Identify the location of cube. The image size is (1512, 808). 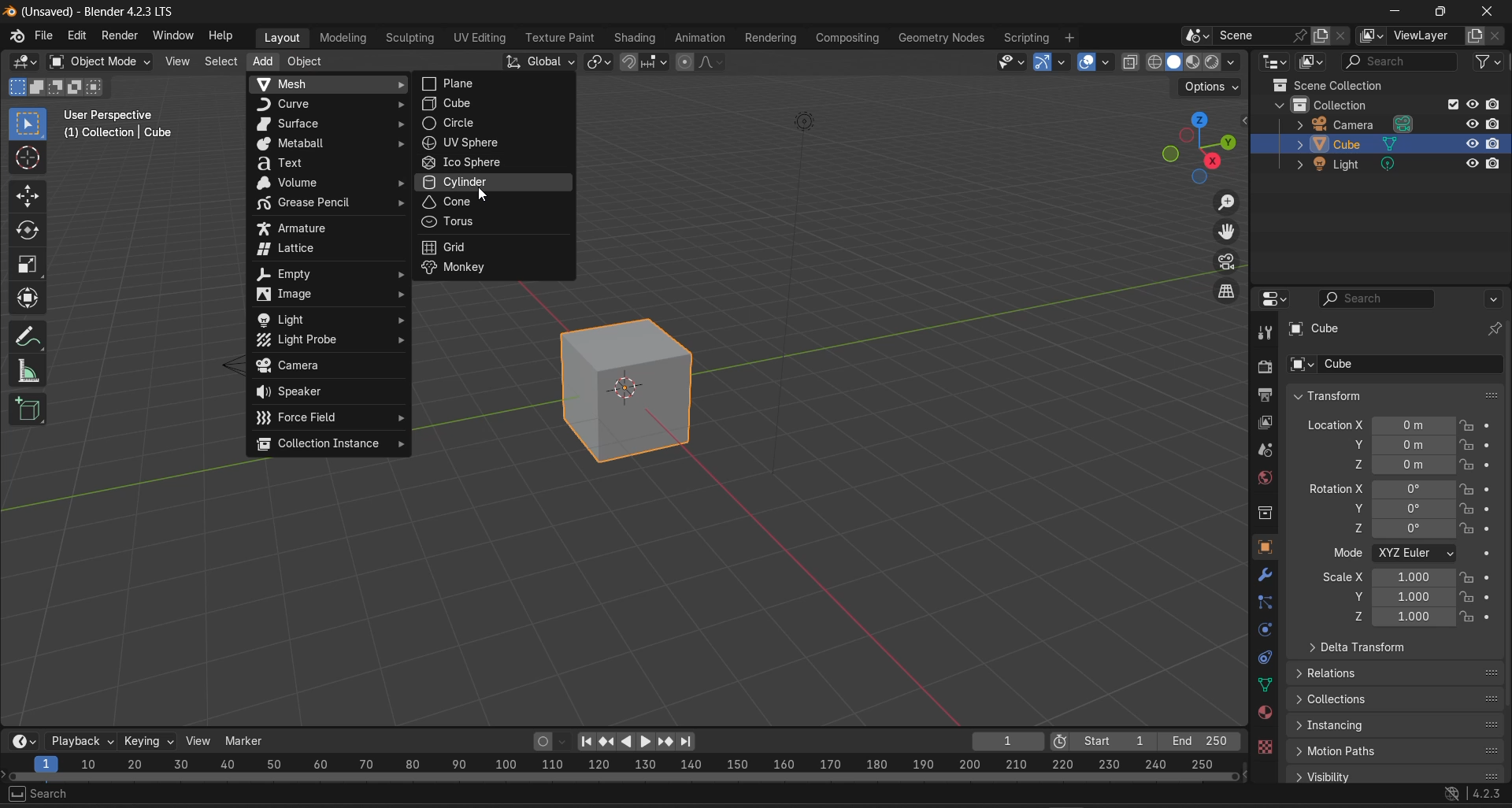
(1358, 142).